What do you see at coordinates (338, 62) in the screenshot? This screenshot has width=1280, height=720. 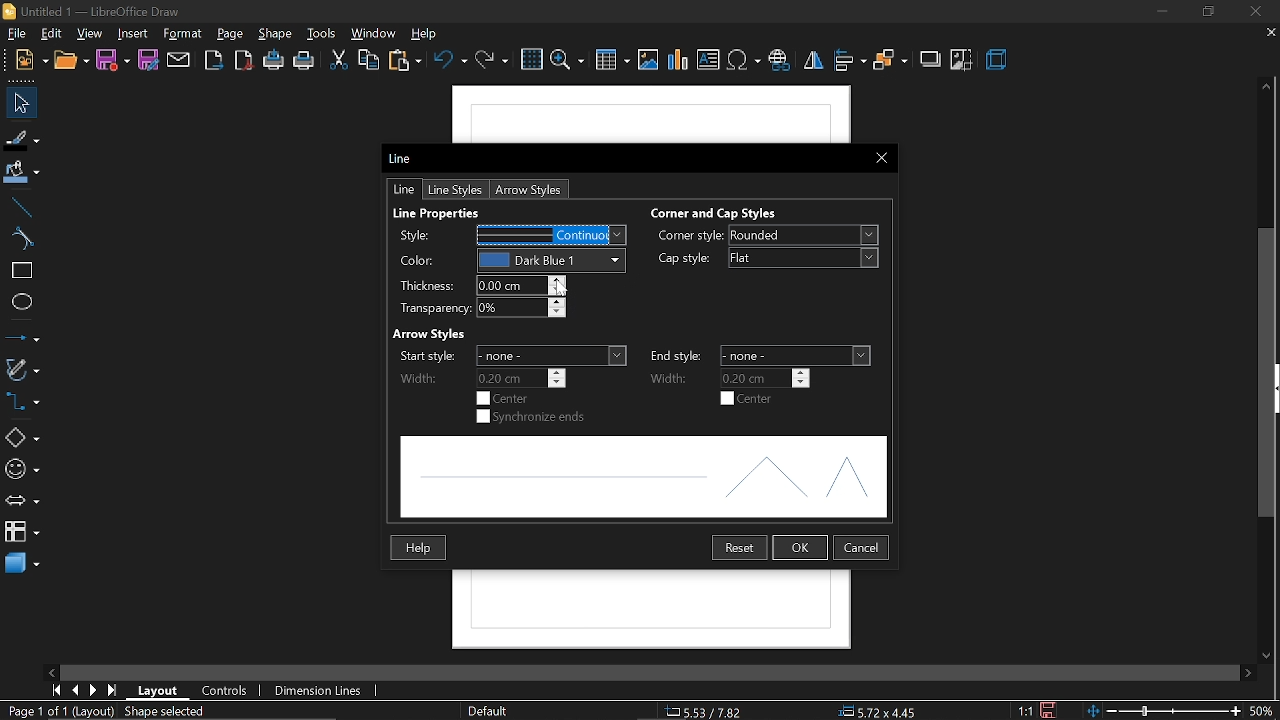 I see `cut ` at bounding box center [338, 62].